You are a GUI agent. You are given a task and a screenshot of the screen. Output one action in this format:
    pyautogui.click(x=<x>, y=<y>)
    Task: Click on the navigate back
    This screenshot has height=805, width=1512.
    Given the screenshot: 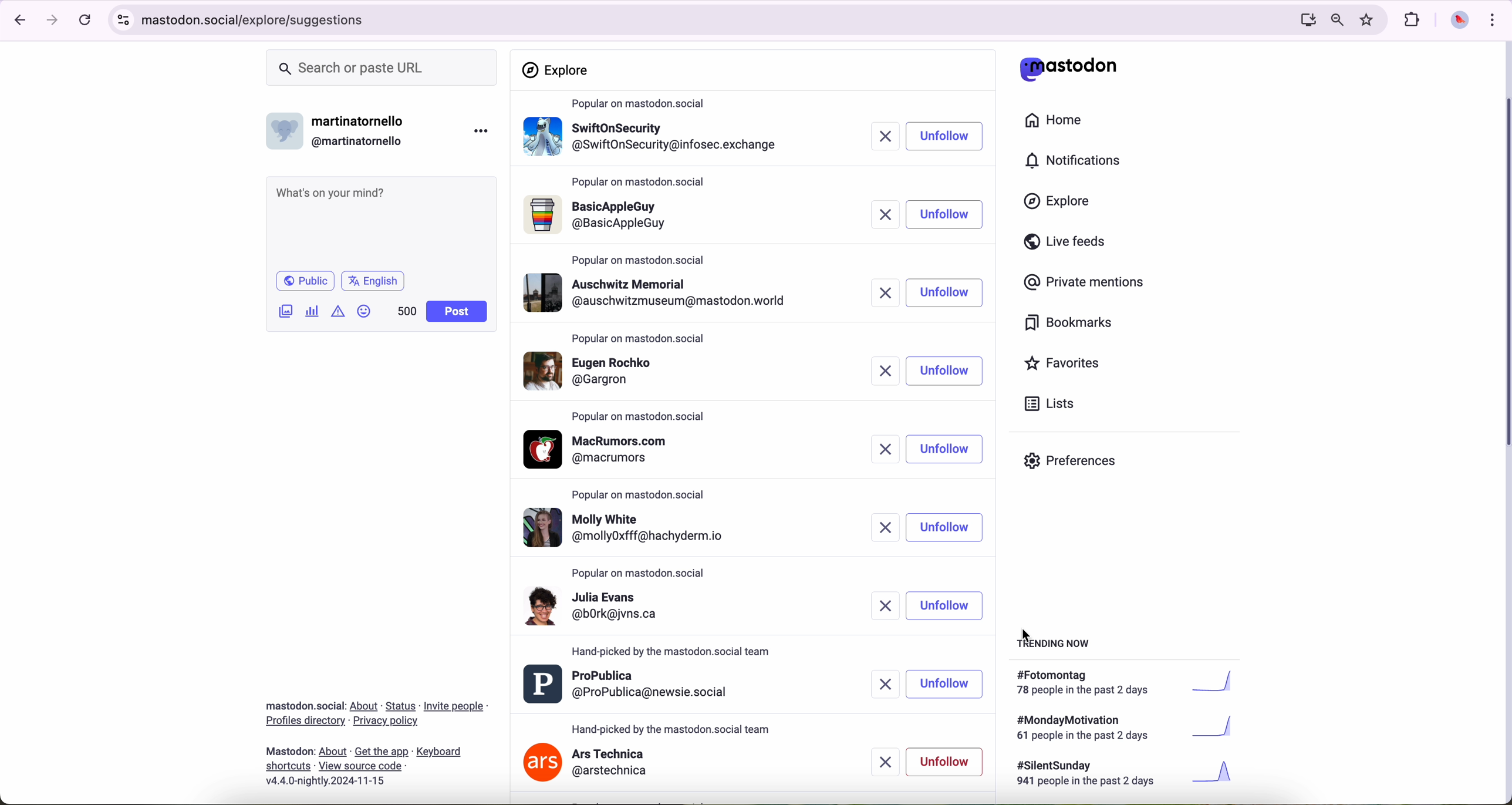 What is the action you would take?
    pyautogui.click(x=16, y=19)
    